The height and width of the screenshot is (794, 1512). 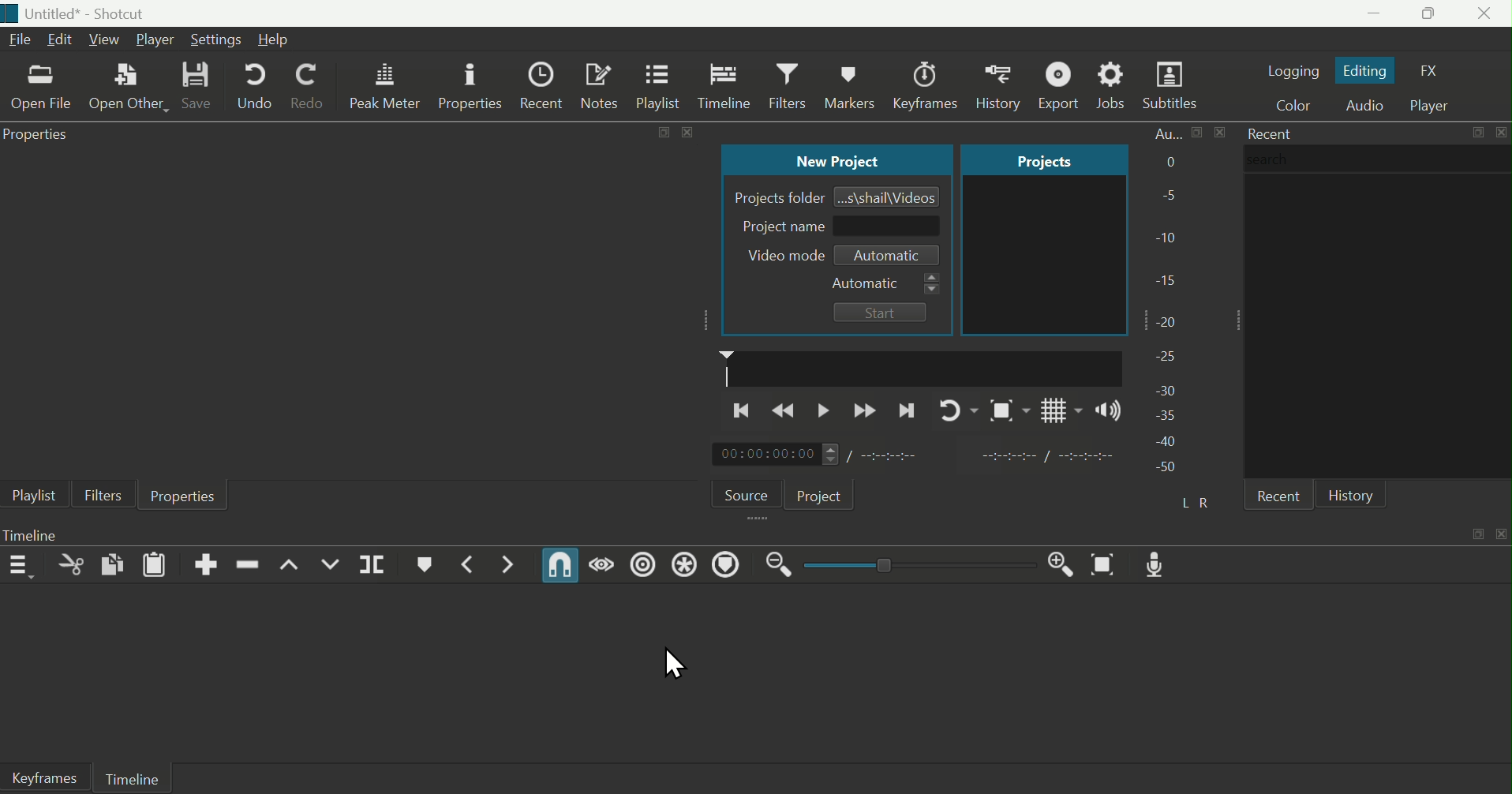 What do you see at coordinates (888, 257) in the screenshot?
I see `Automatic` at bounding box center [888, 257].